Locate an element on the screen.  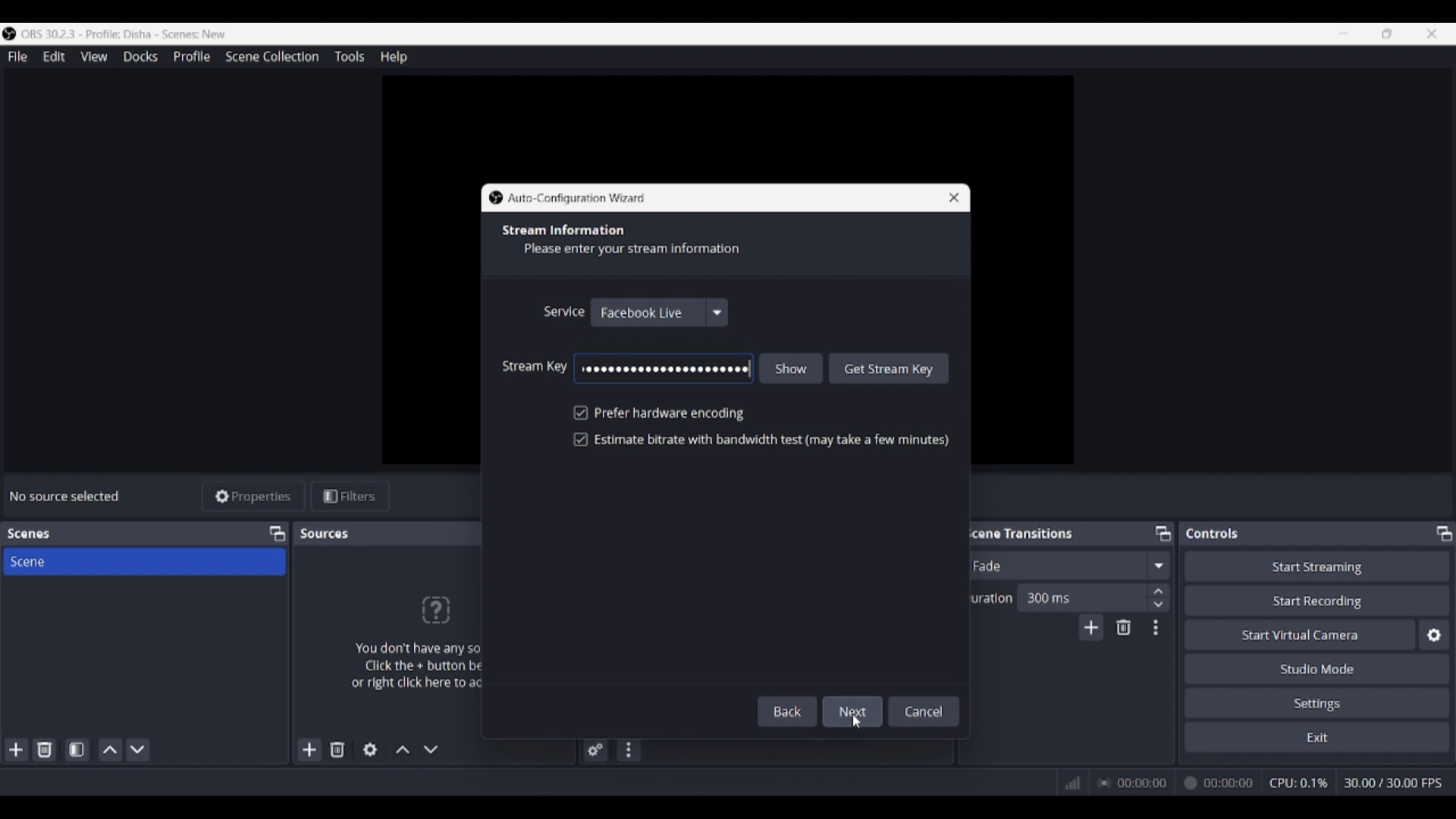
Float scenes is located at coordinates (277, 534).